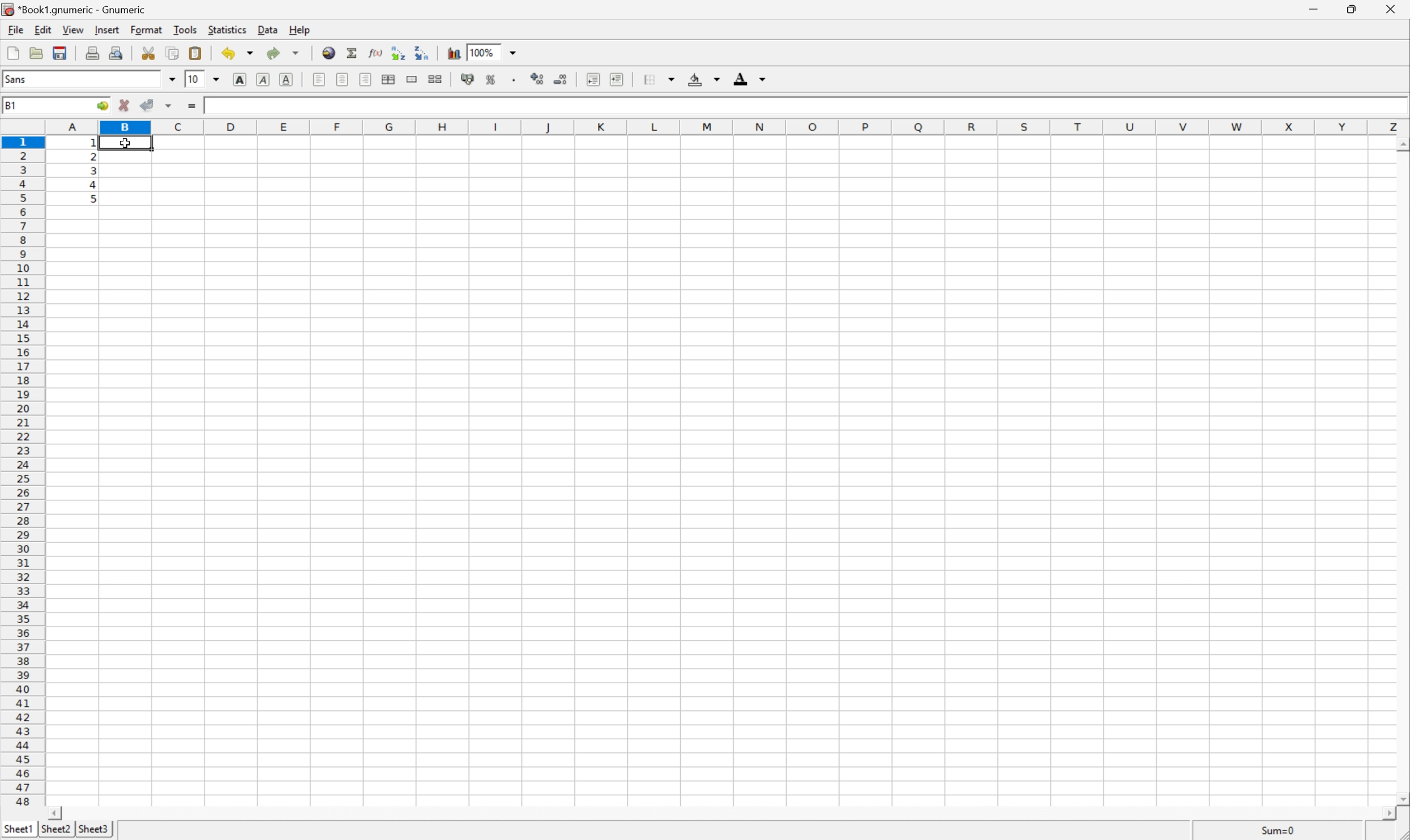  What do you see at coordinates (301, 29) in the screenshot?
I see `Help` at bounding box center [301, 29].